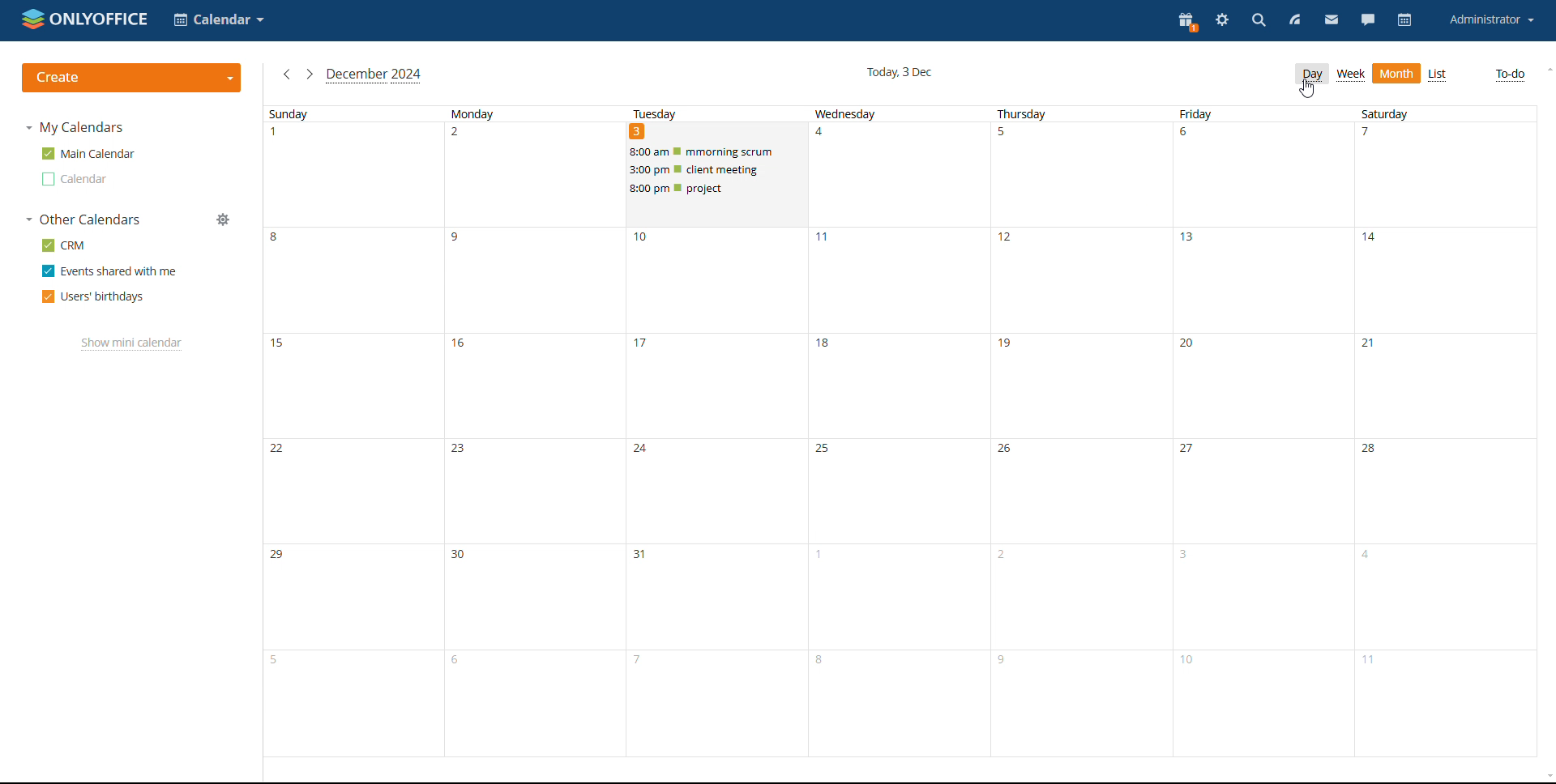 Image resolution: width=1556 pixels, height=784 pixels. Describe the element at coordinates (108, 271) in the screenshot. I see `events shared with me` at that location.